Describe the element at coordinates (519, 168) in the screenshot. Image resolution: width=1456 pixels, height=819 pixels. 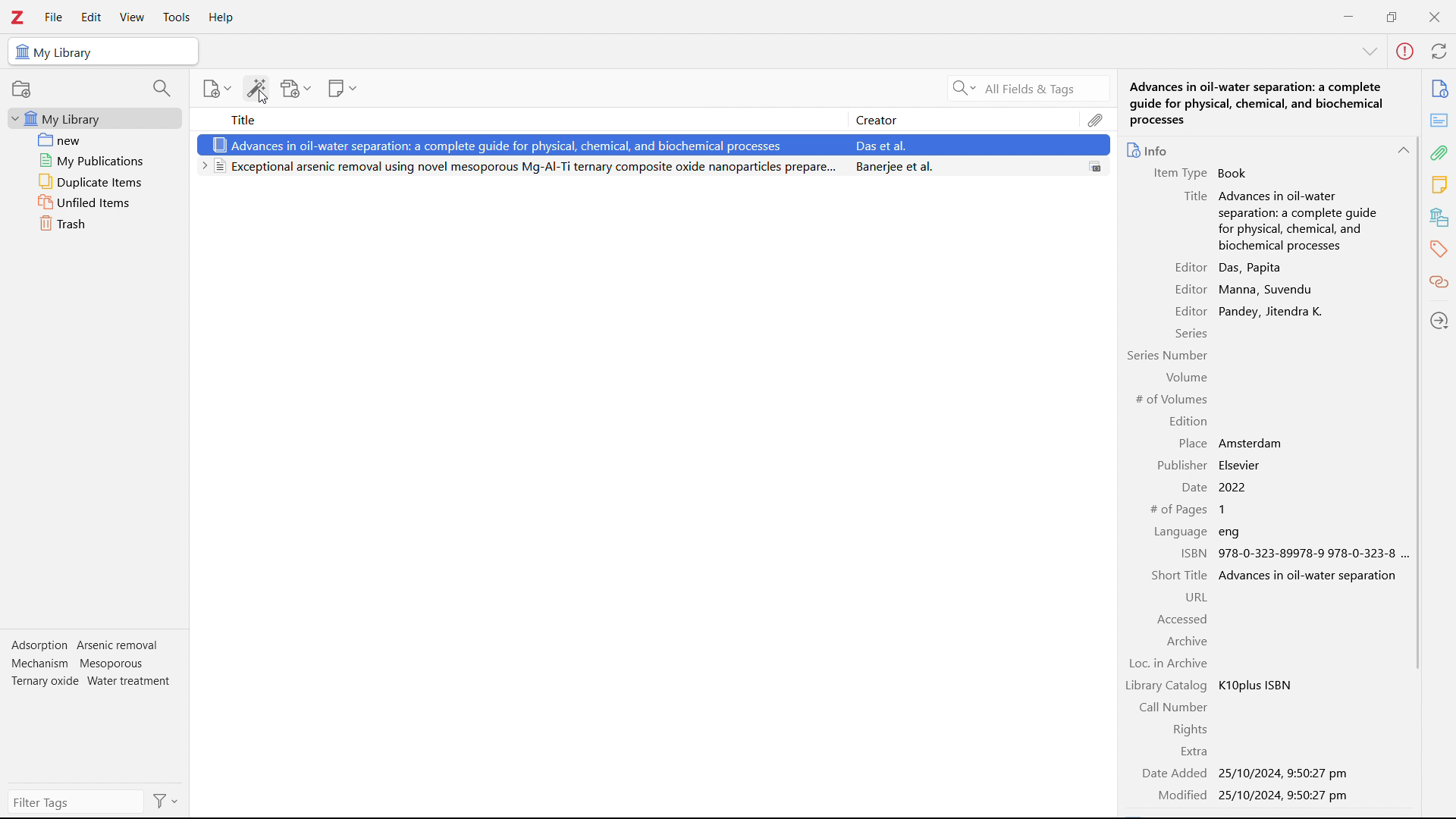
I see `Exceptional arsenic removal using novel Mesoporous Mg-Al-Ti ternary composite oxides nanoparticles prepared via Self-Assembly templating method` at that location.